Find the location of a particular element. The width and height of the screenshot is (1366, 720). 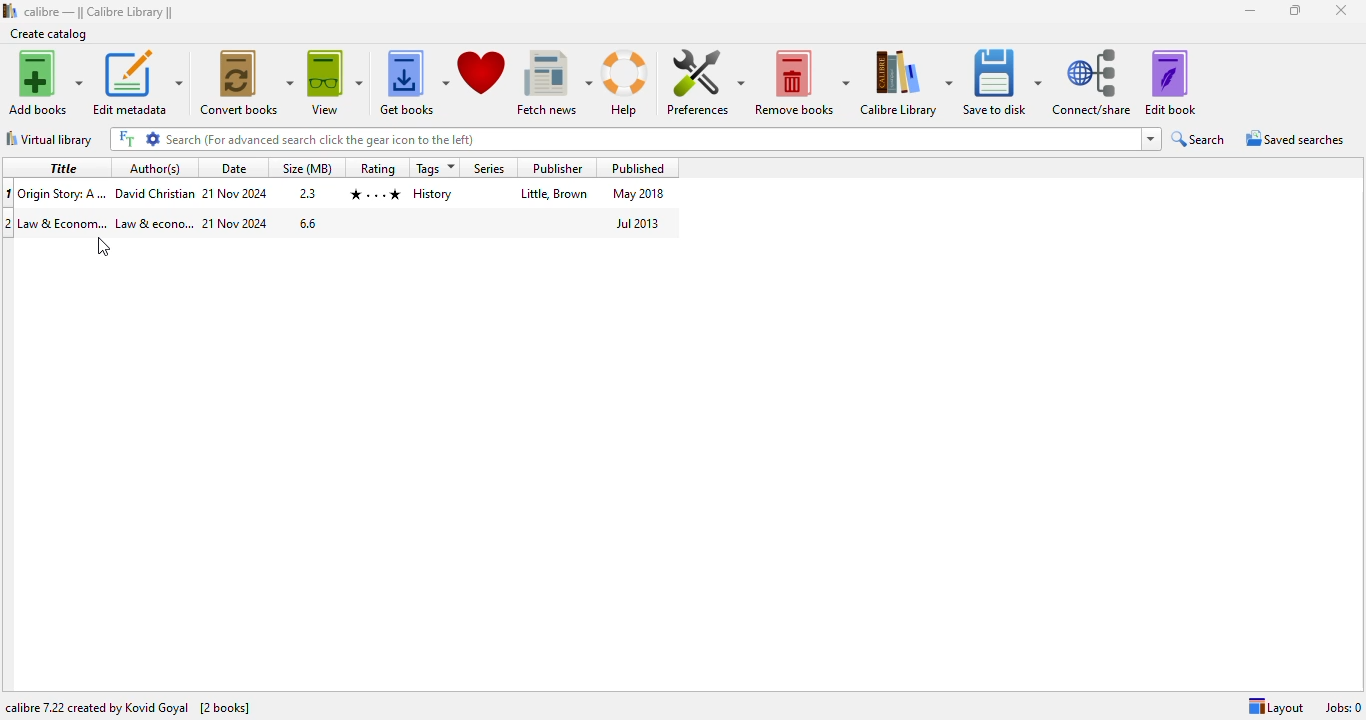

calibre 7.22 created by Kovid Goyal is located at coordinates (96, 708).